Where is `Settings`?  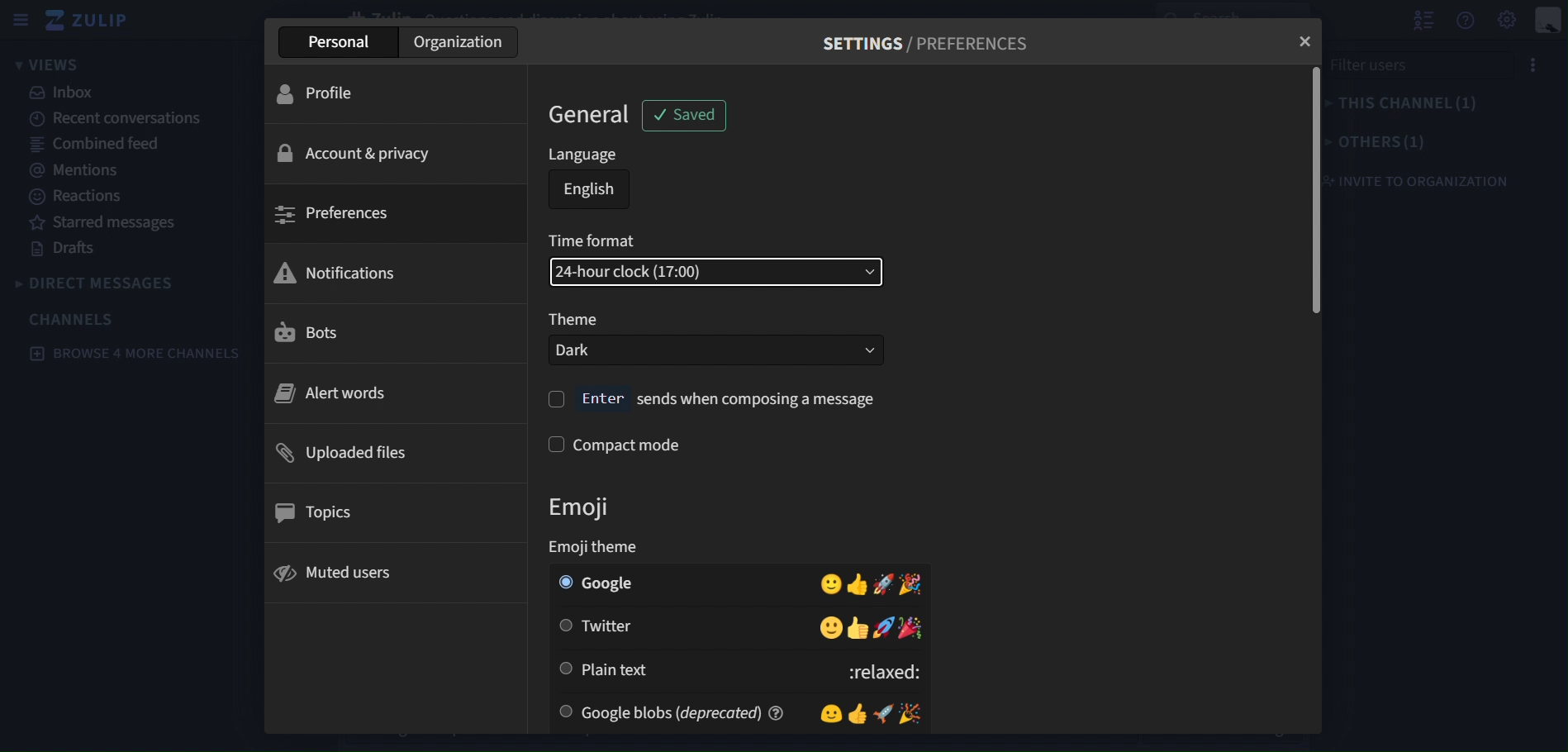
Settings is located at coordinates (1509, 20).